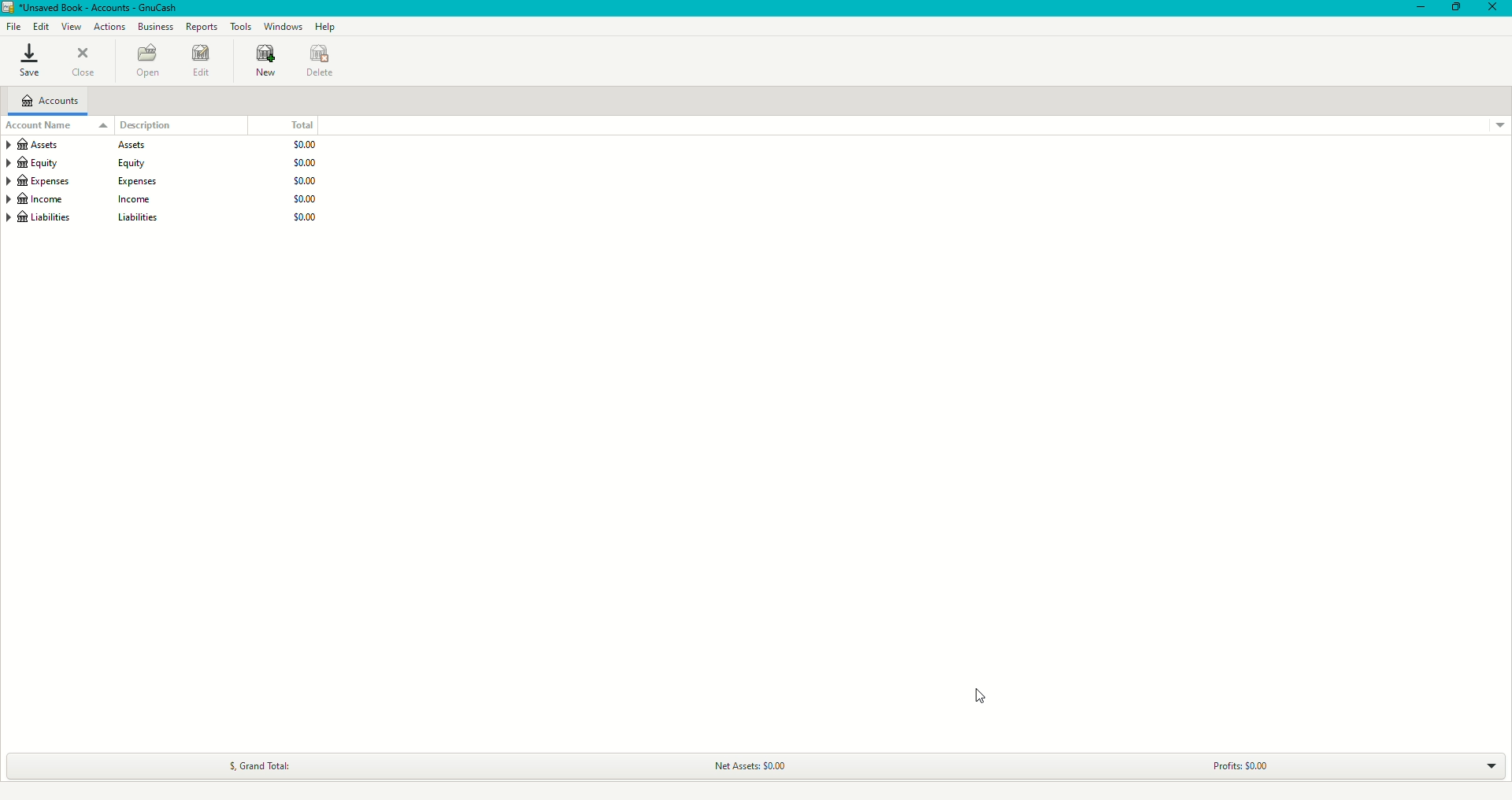 The image size is (1512, 800). What do you see at coordinates (306, 122) in the screenshot?
I see `Total` at bounding box center [306, 122].